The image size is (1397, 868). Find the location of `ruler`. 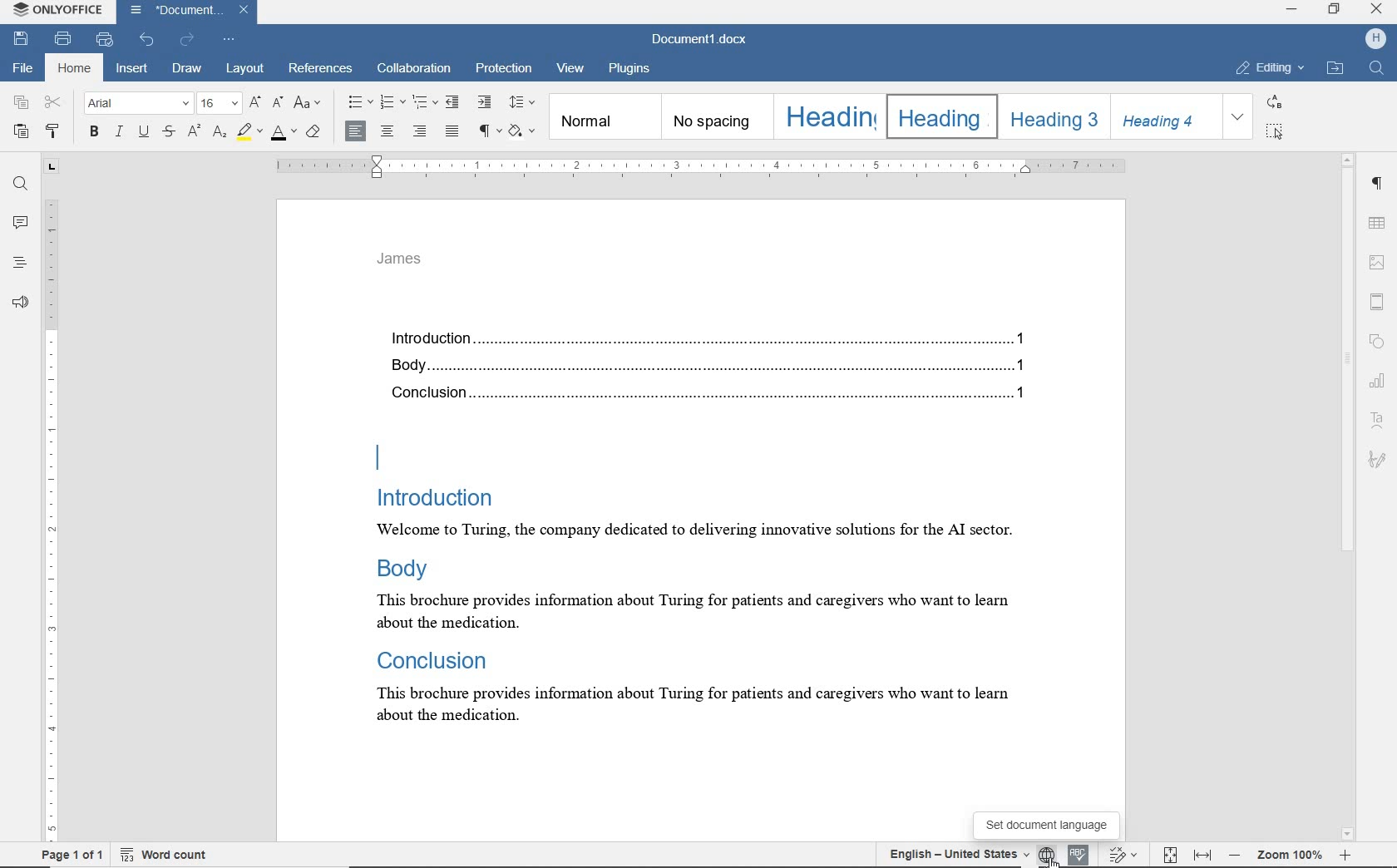

ruler is located at coordinates (52, 504).